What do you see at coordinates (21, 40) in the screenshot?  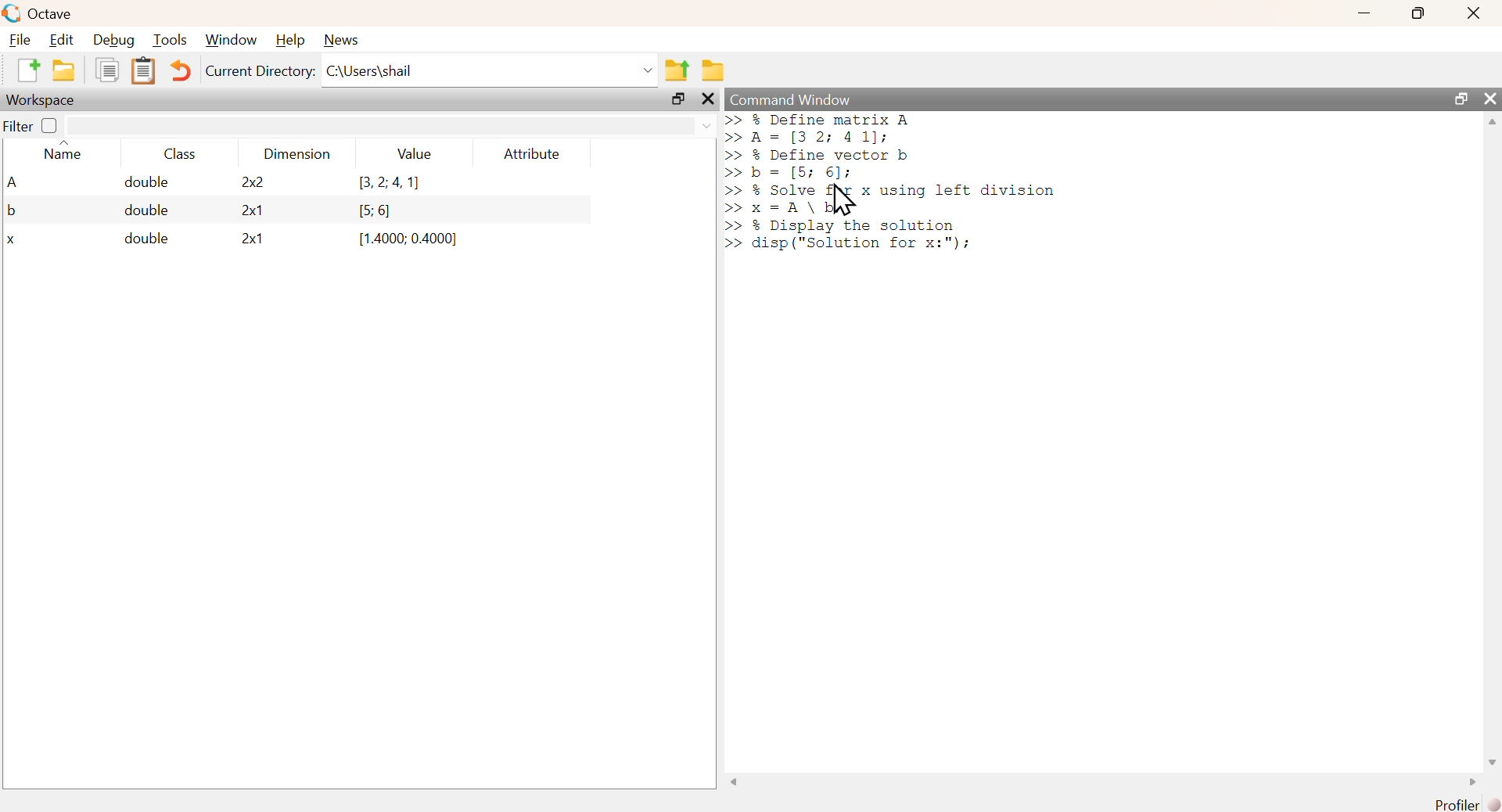 I see `file` at bounding box center [21, 40].